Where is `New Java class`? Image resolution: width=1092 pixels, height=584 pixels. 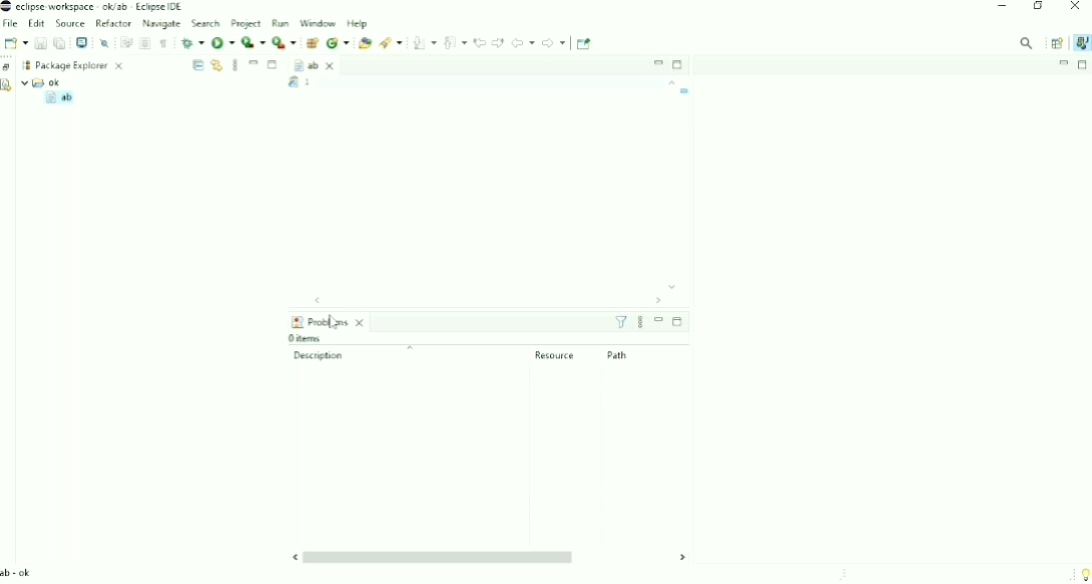
New Java class is located at coordinates (338, 43).